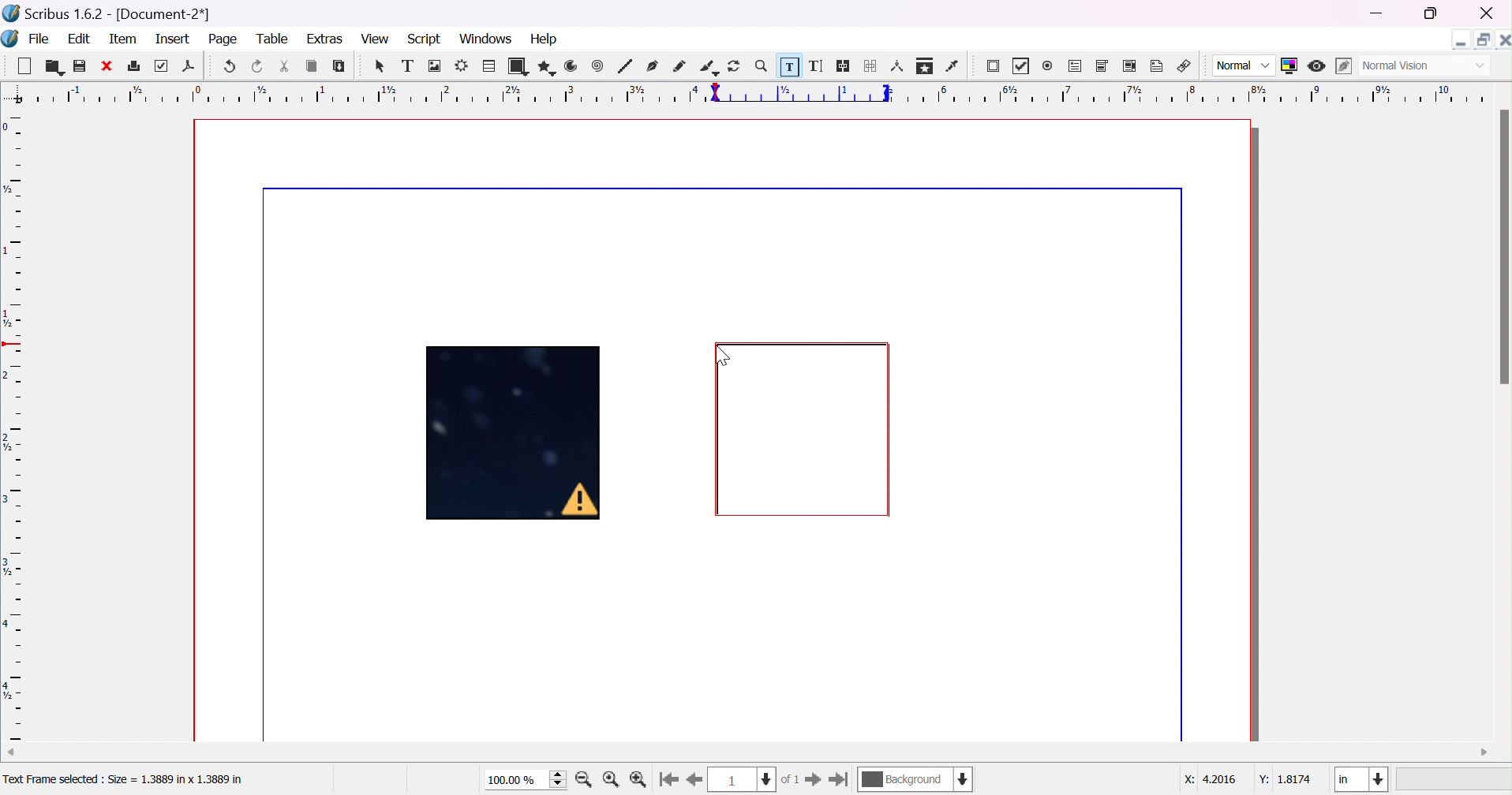 Image resolution: width=1512 pixels, height=795 pixels. I want to click on scroll right, so click(1485, 752).